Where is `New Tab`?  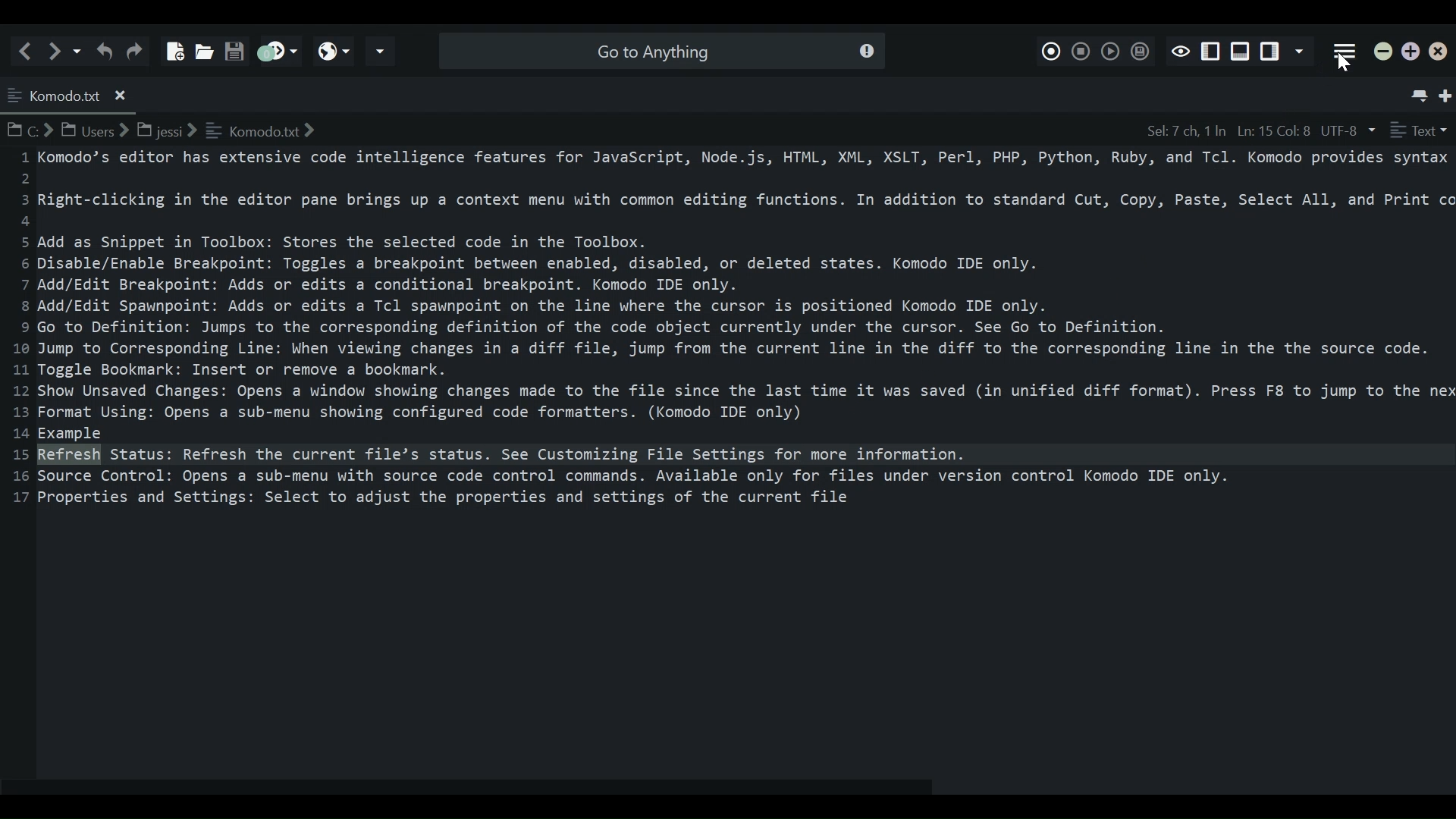
New Tab is located at coordinates (1447, 93).